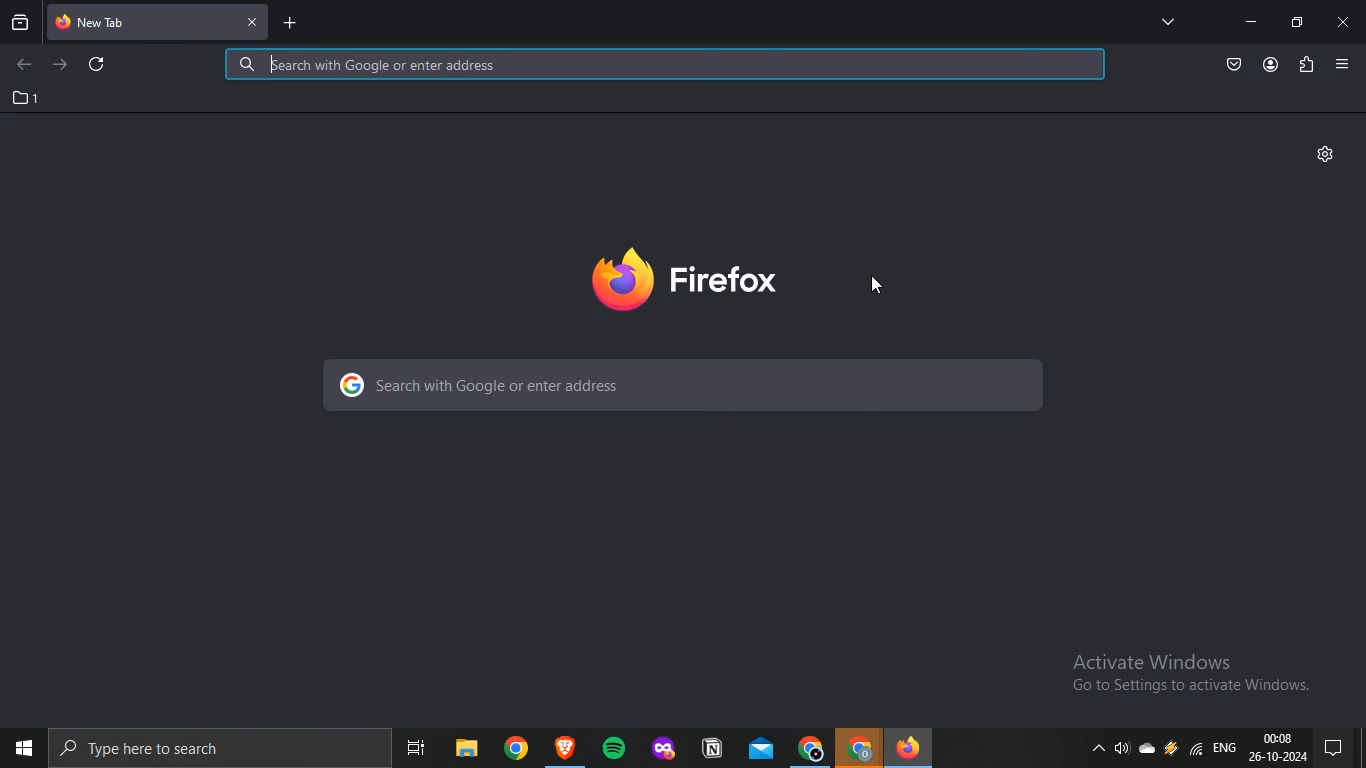  I want to click on restore window, so click(1298, 23).